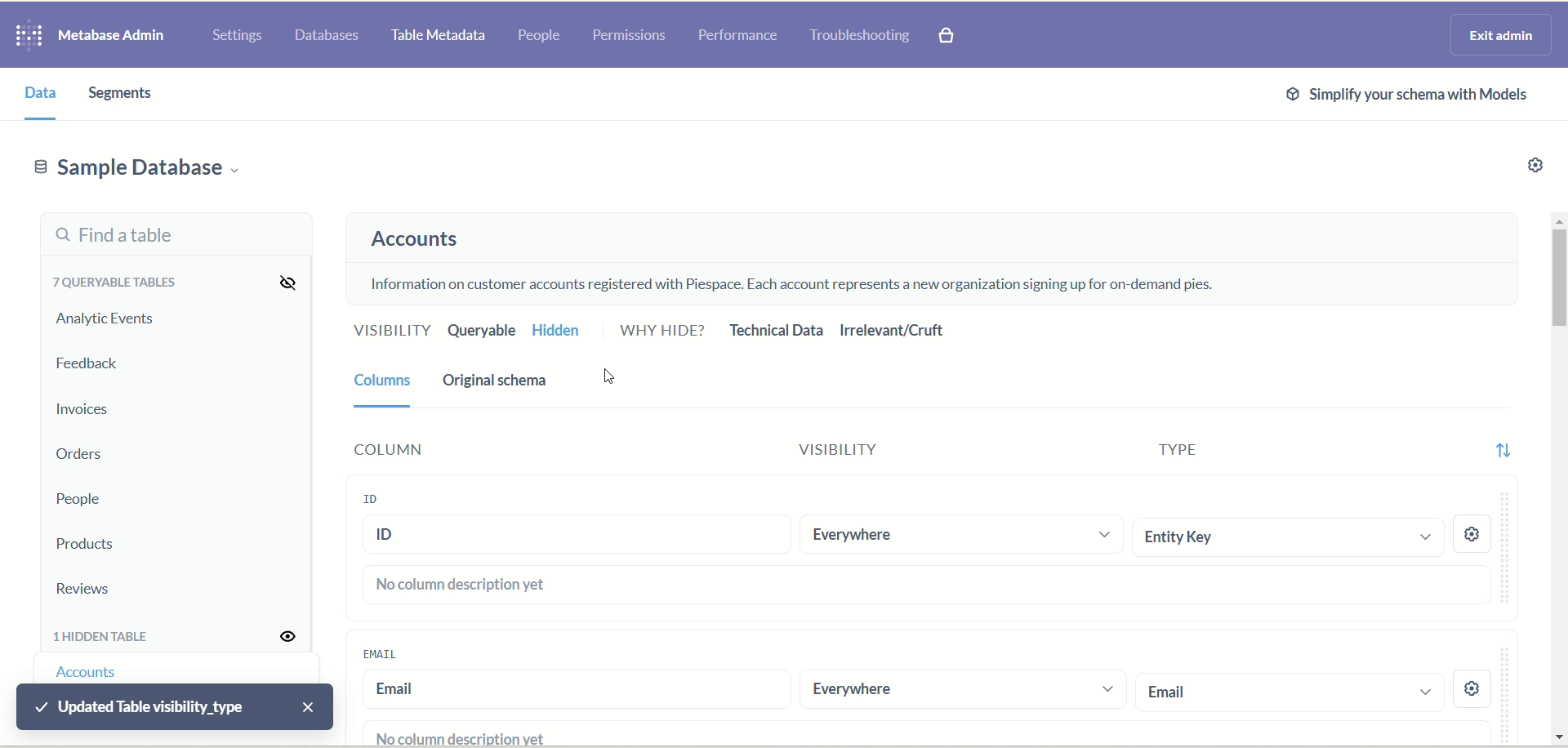 The width and height of the screenshot is (1568, 748). Describe the element at coordinates (864, 38) in the screenshot. I see `troubleshooting` at that location.